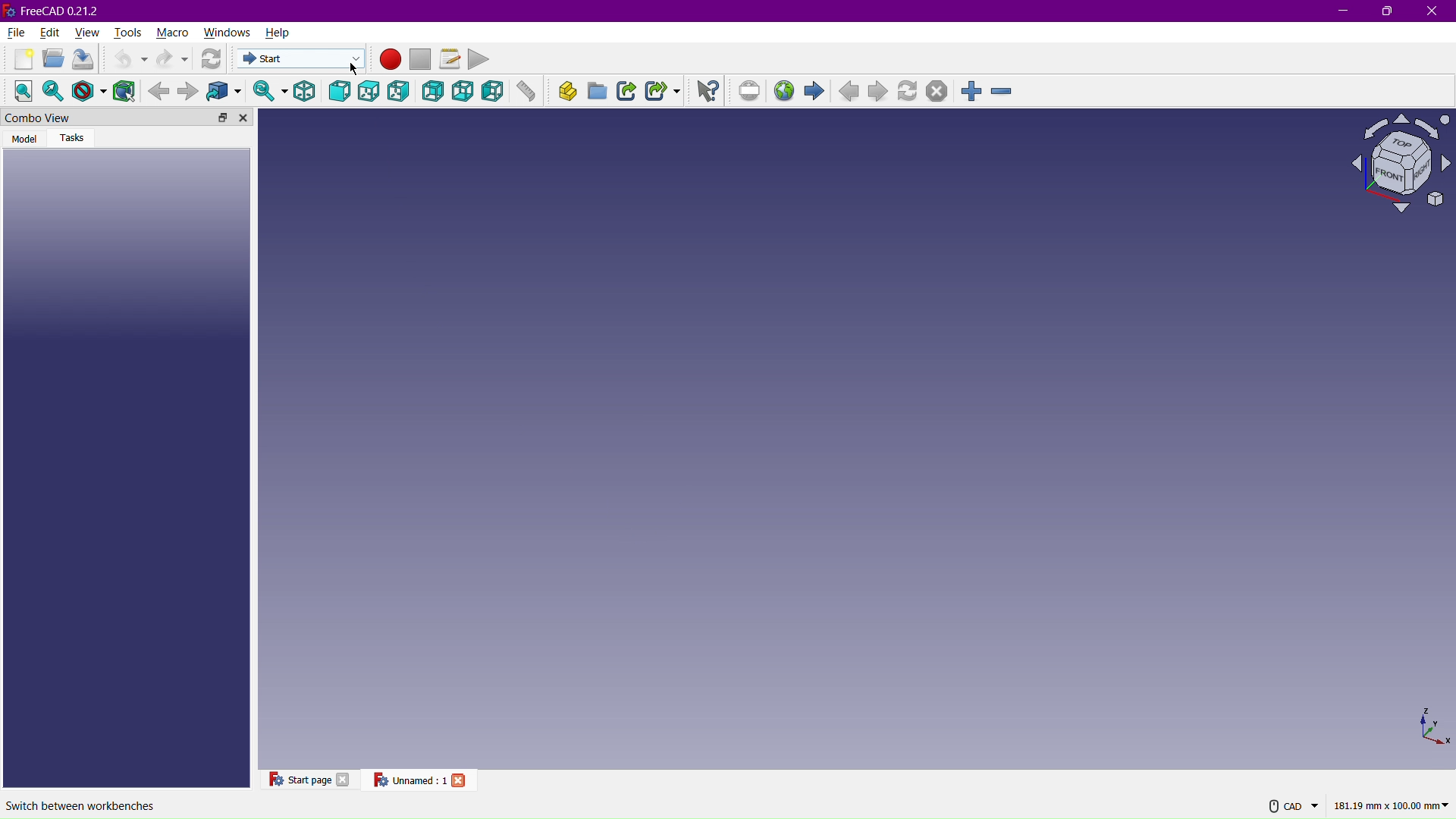 This screenshot has width=1456, height=819. What do you see at coordinates (625, 89) in the screenshot?
I see `Make a link` at bounding box center [625, 89].